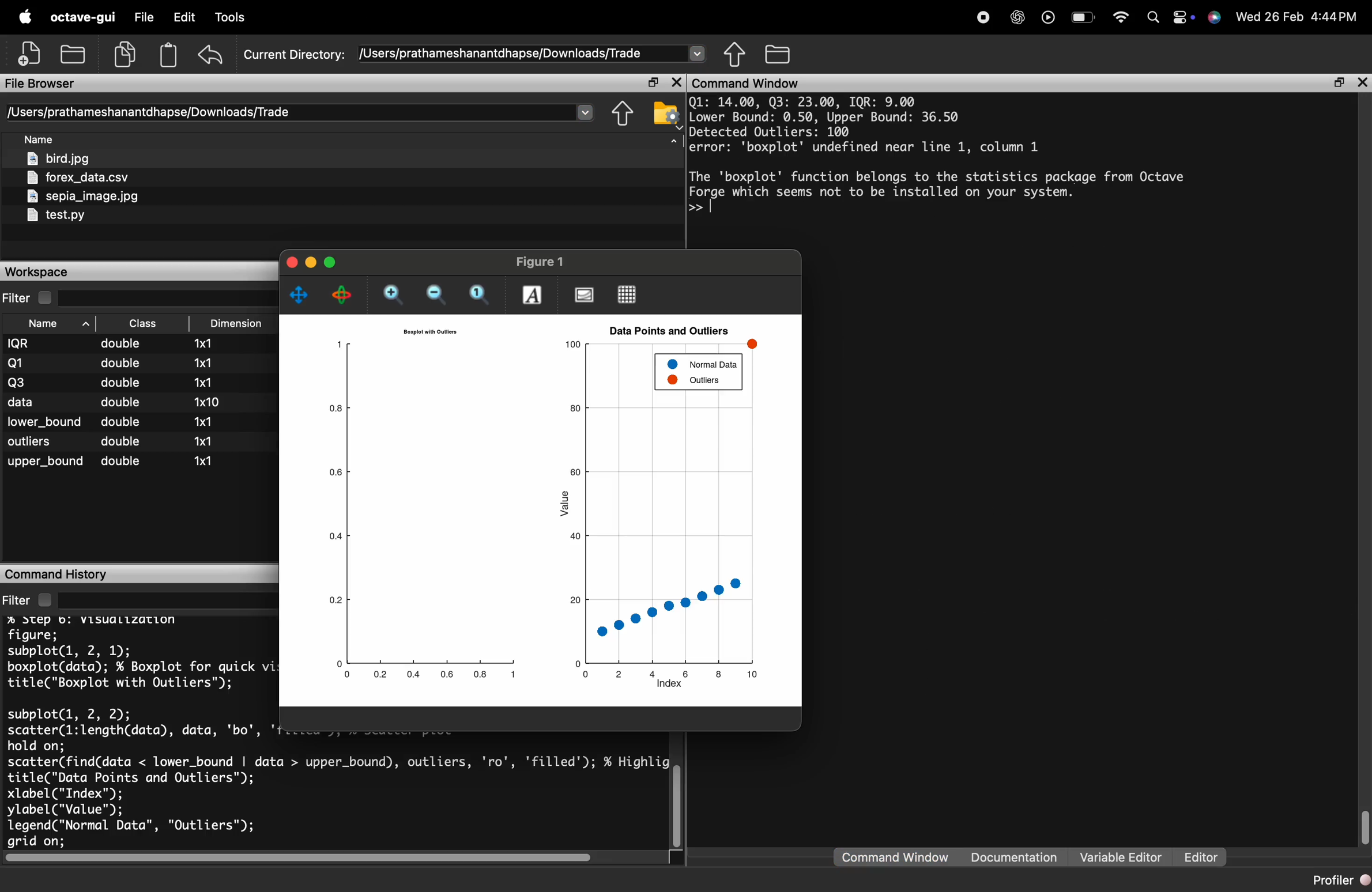 The height and width of the screenshot is (892, 1372). Describe the element at coordinates (747, 83) in the screenshot. I see `Command Window` at that location.